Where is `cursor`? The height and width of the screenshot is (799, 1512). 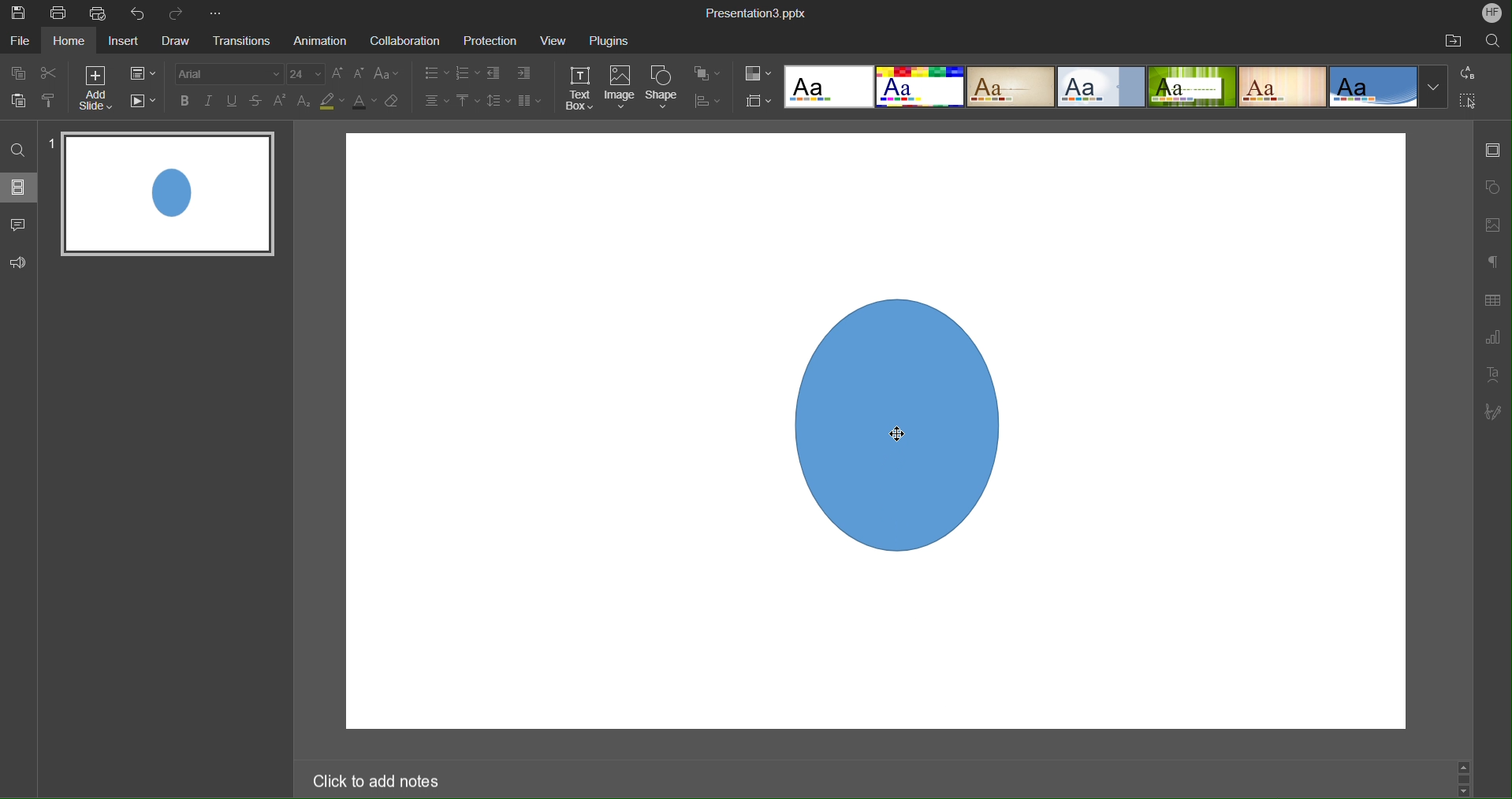 cursor is located at coordinates (898, 431).